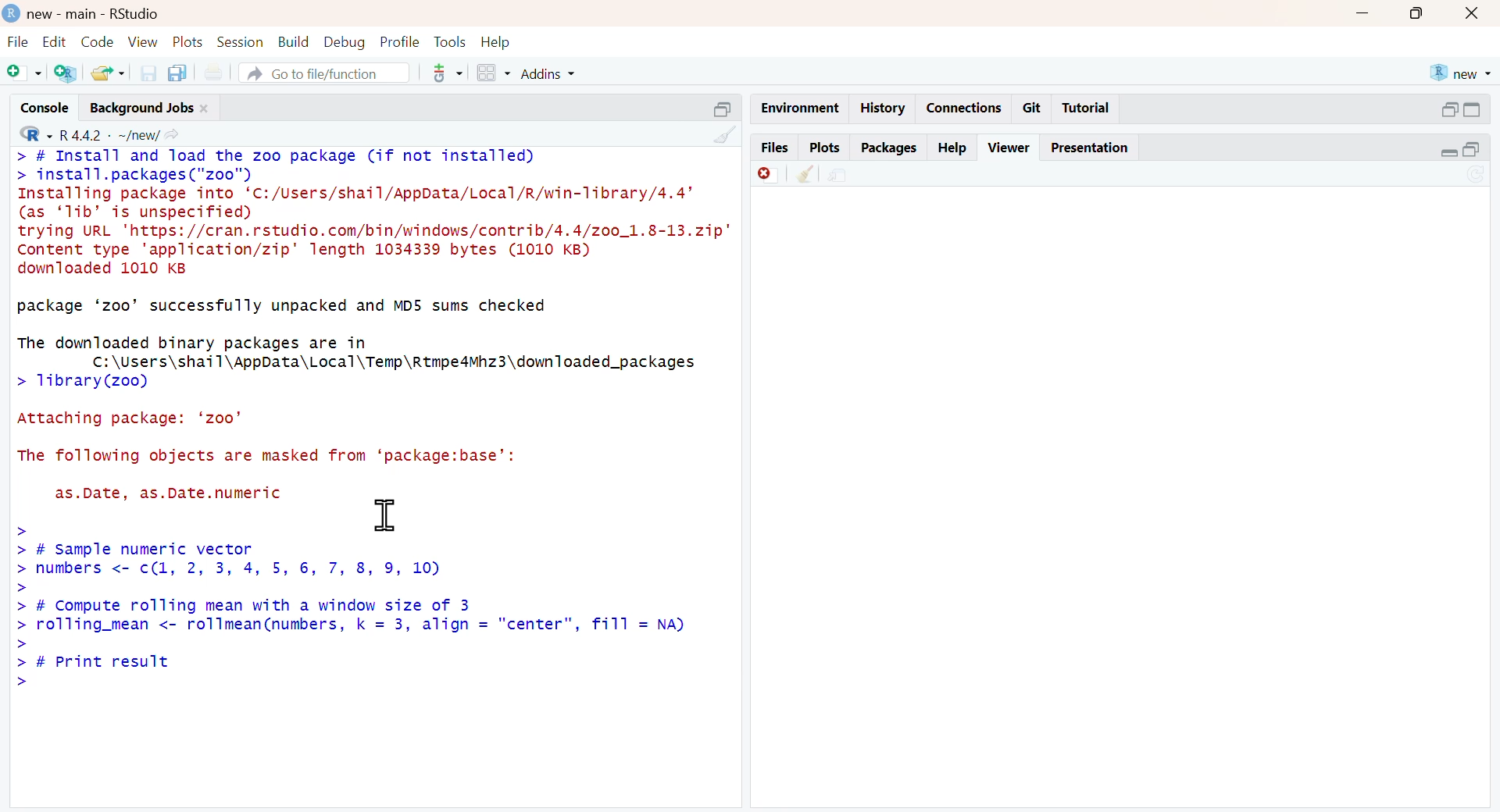 This screenshot has height=812, width=1500. What do you see at coordinates (55, 41) in the screenshot?
I see `edit` at bounding box center [55, 41].